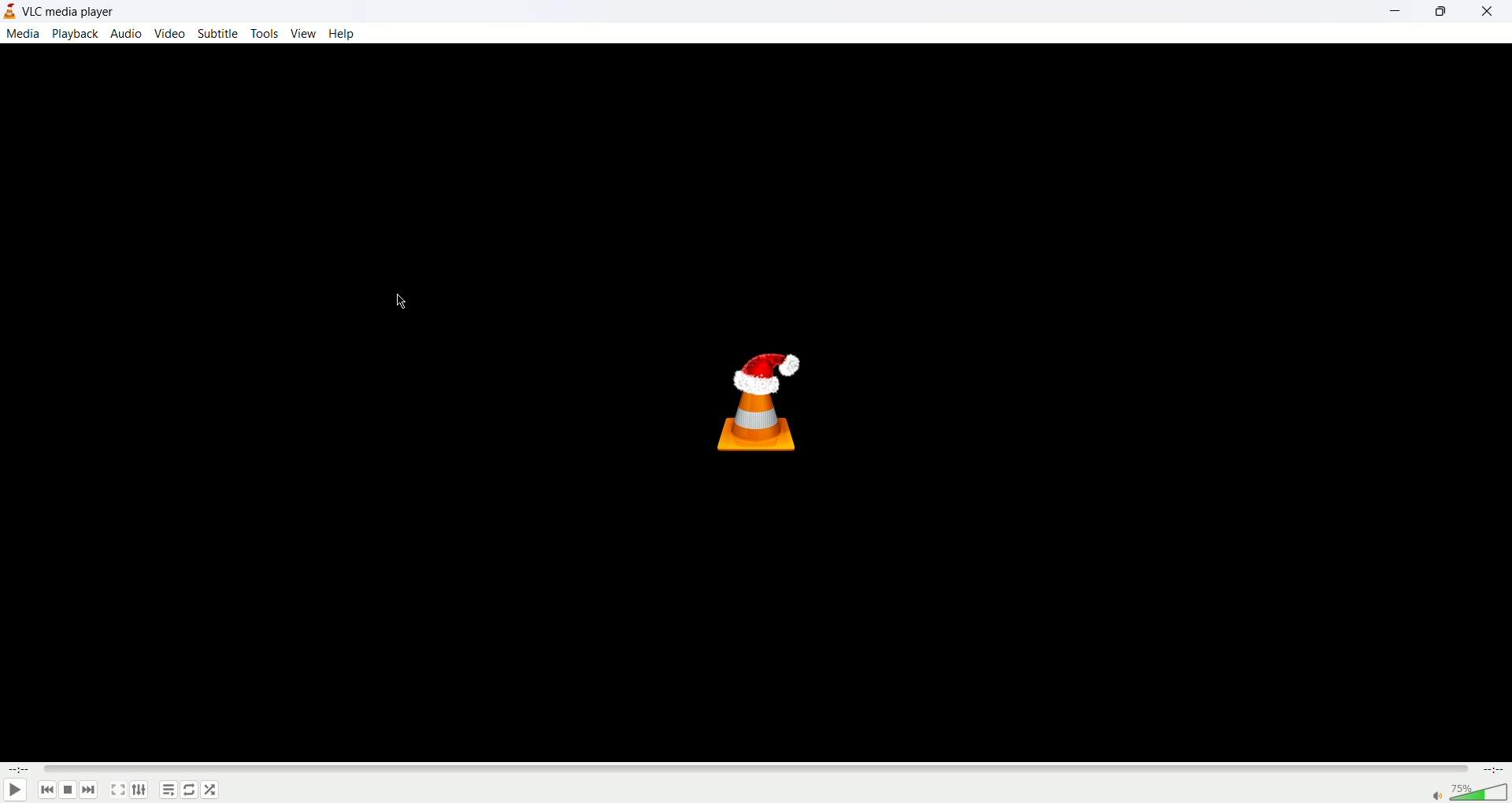 The height and width of the screenshot is (803, 1512). I want to click on audio , so click(129, 34).